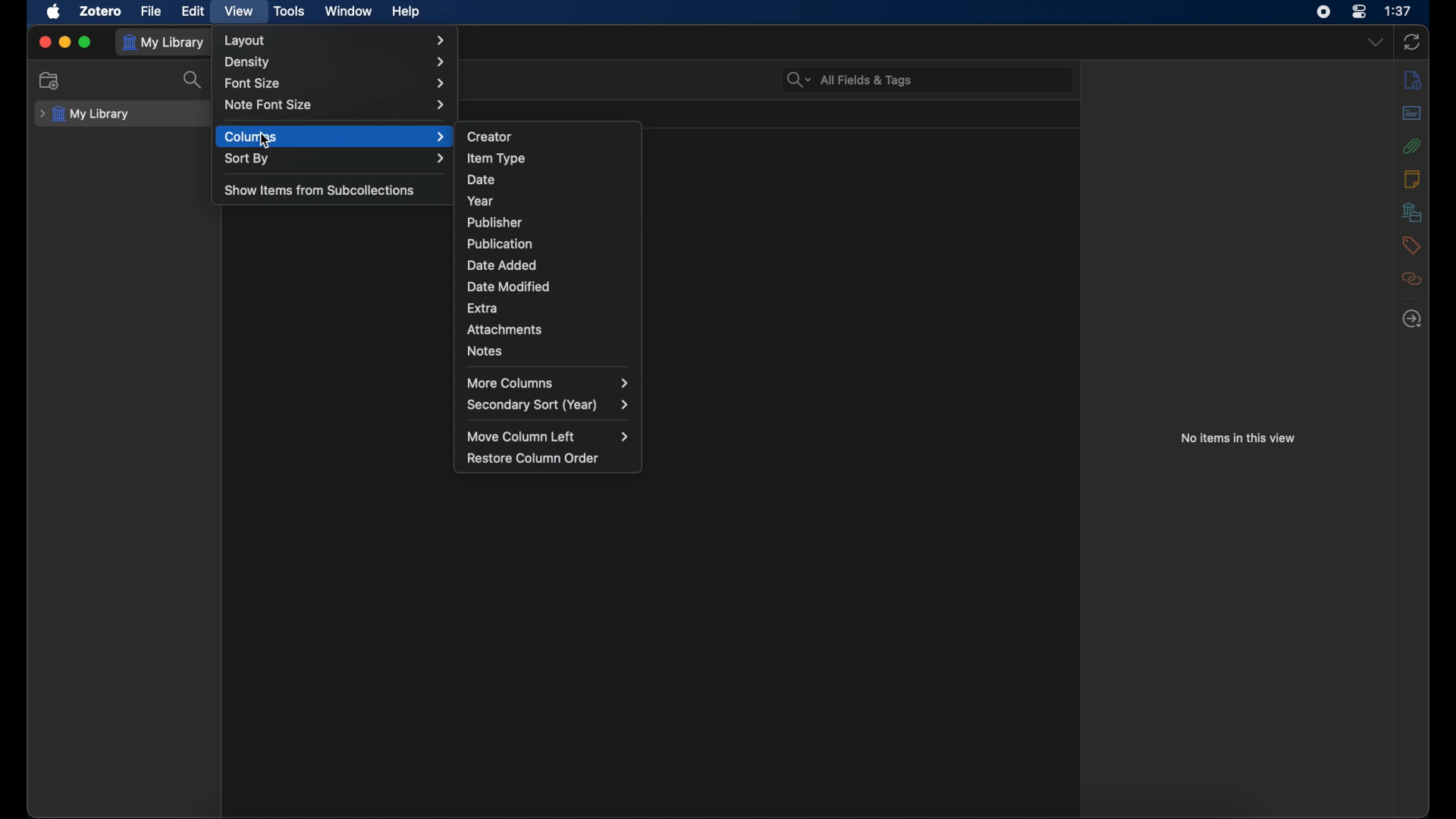 This screenshot has height=819, width=1456. What do you see at coordinates (1412, 112) in the screenshot?
I see `abstract` at bounding box center [1412, 112].